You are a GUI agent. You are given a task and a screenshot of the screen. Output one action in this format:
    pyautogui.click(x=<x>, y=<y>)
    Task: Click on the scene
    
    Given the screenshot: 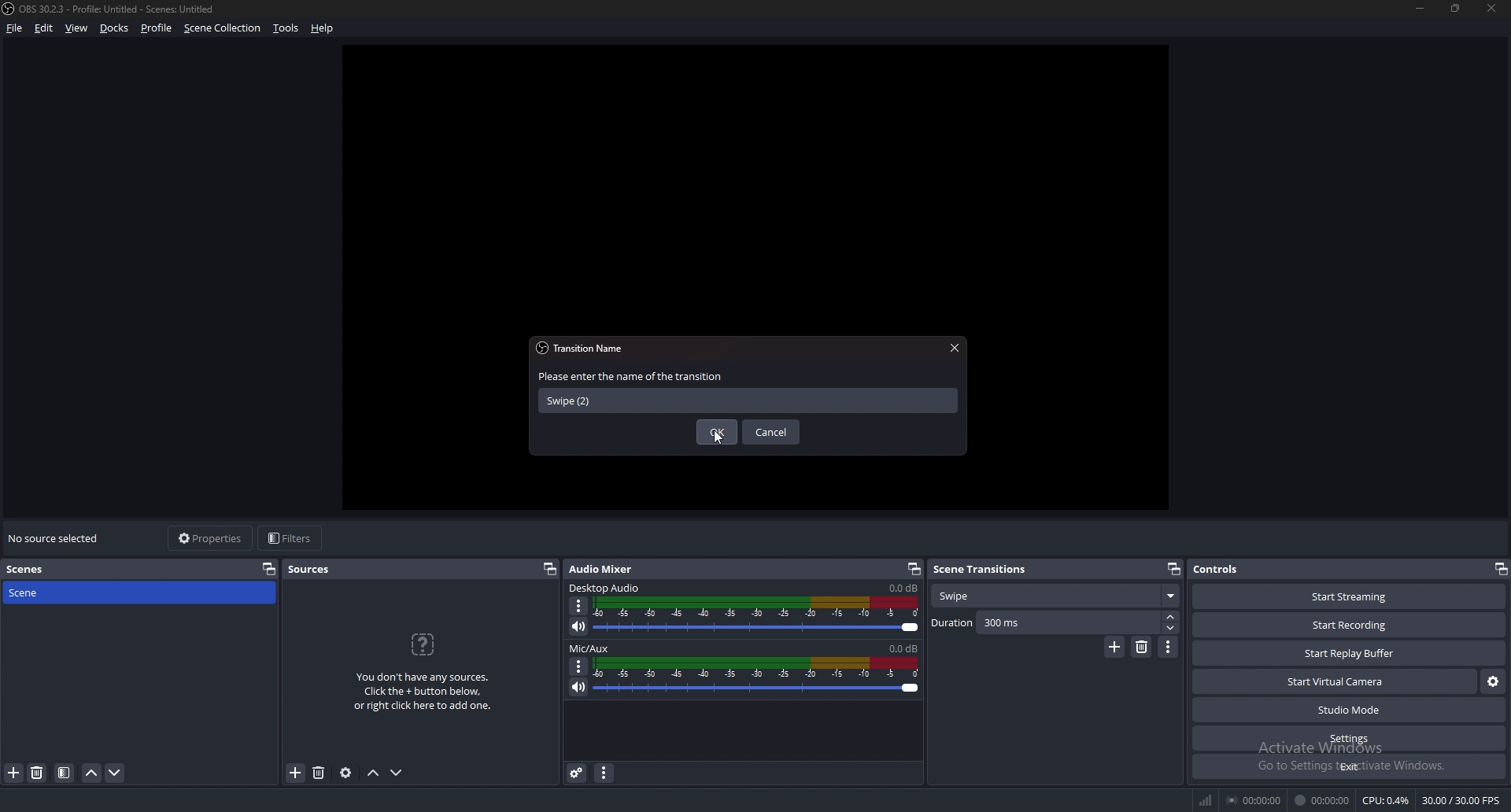 What is the action you would take?
    pyautogui.click(x=52, y=593)
    